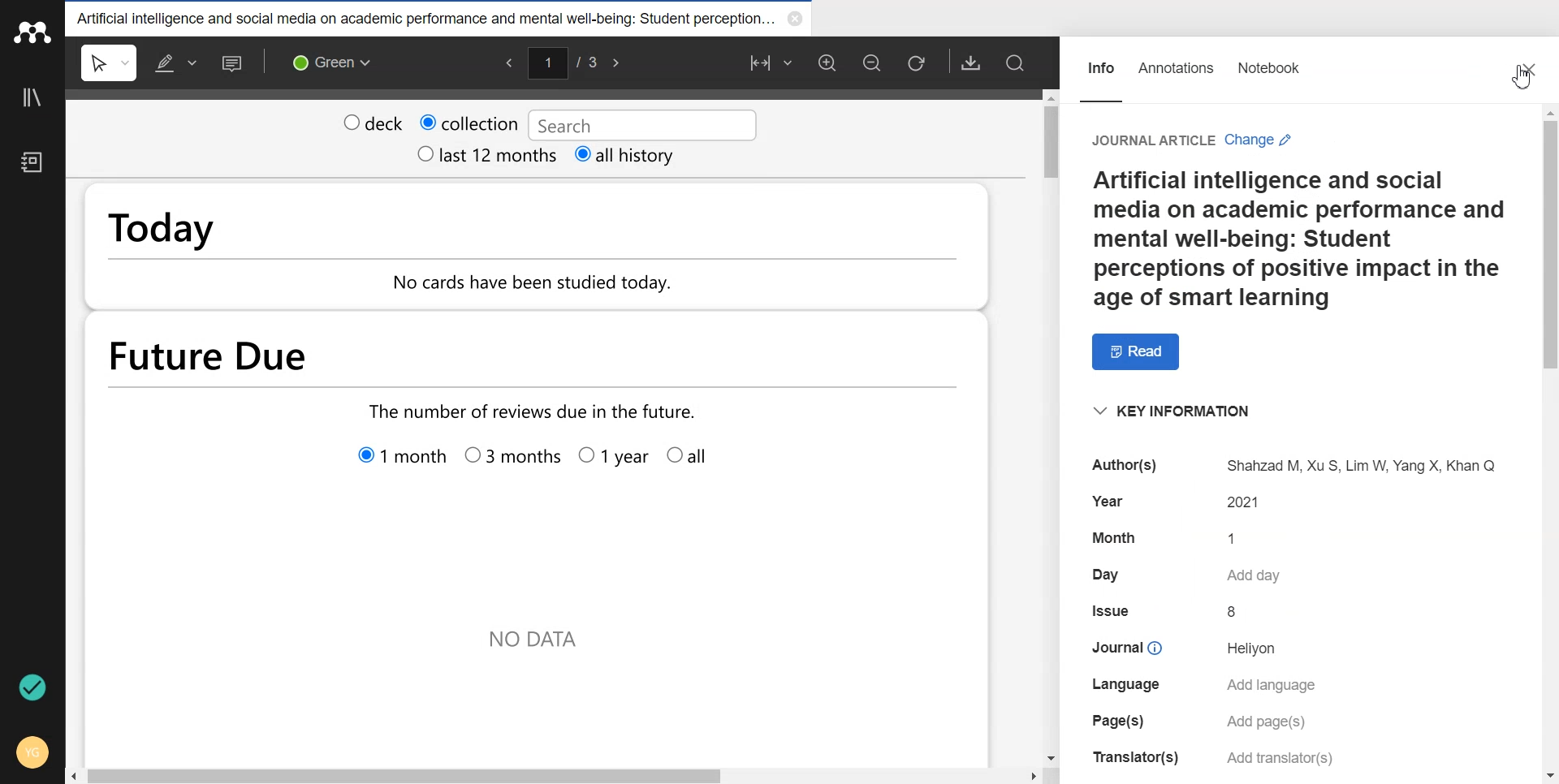  I want to click on last 12 months, so click(486, 155).